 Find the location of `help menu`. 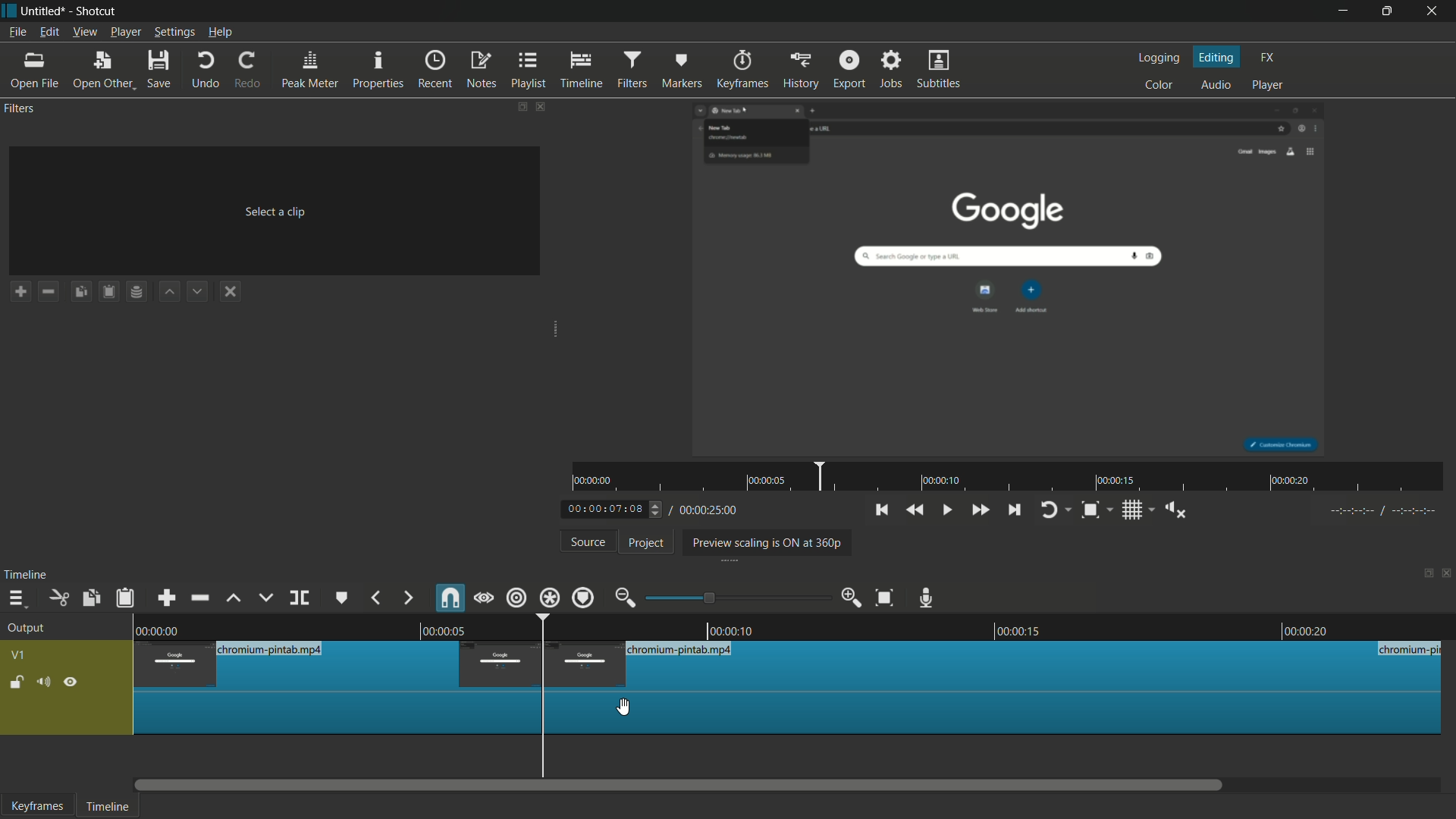

help menu is located at coordinates (221, 33).